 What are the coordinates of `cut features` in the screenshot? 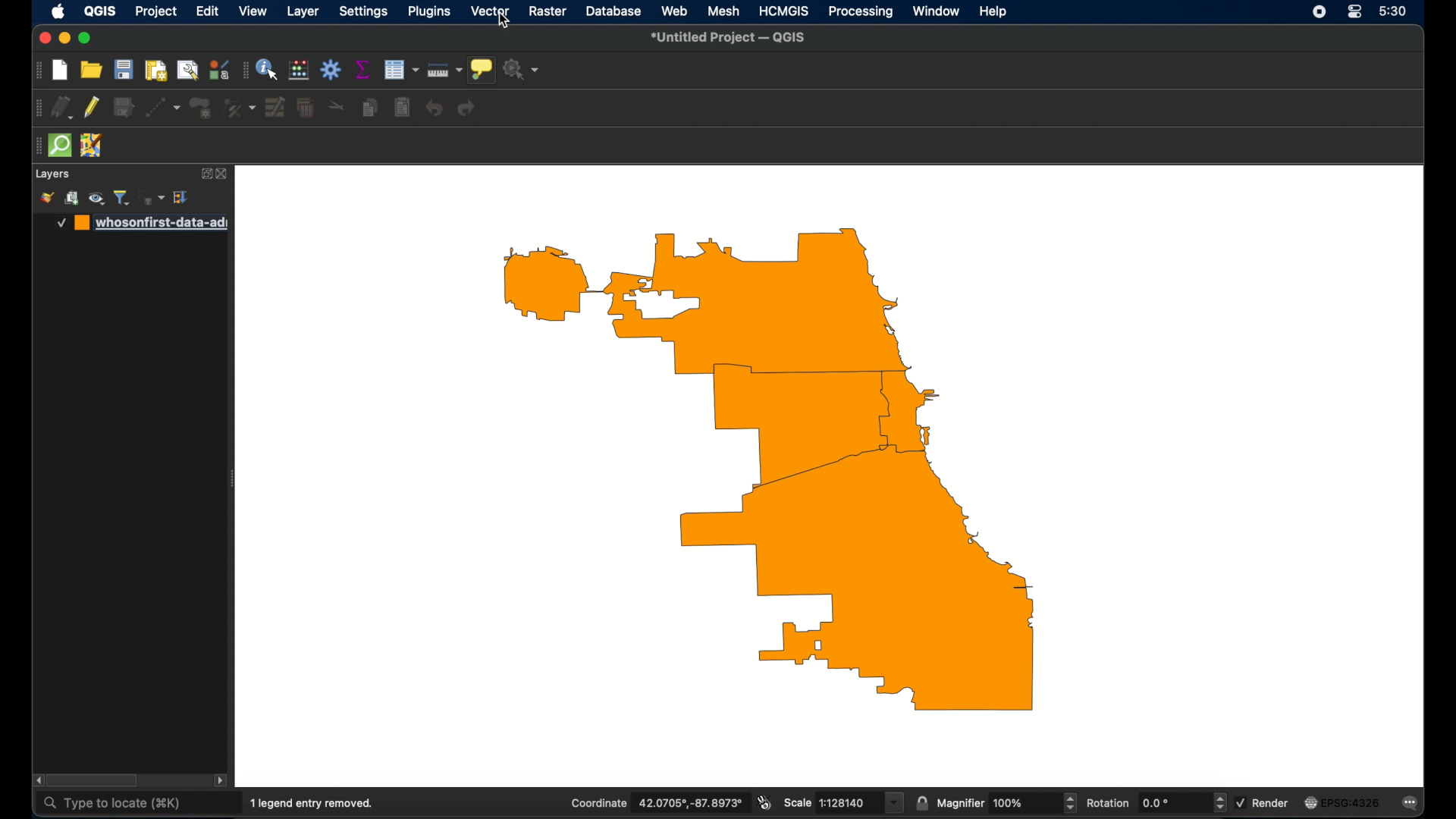 It's located at (336, 107).